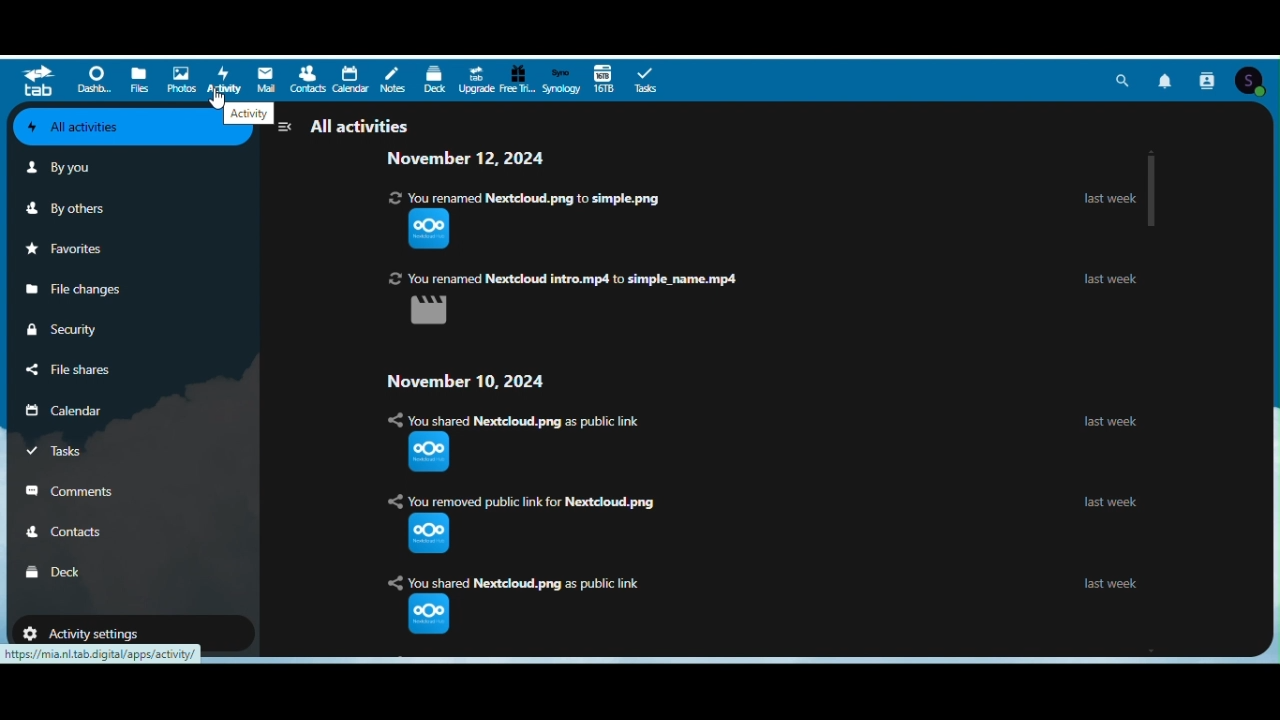  Describe the element at coordinates (436, 79) in the screenshot. I see `deck` at that location.